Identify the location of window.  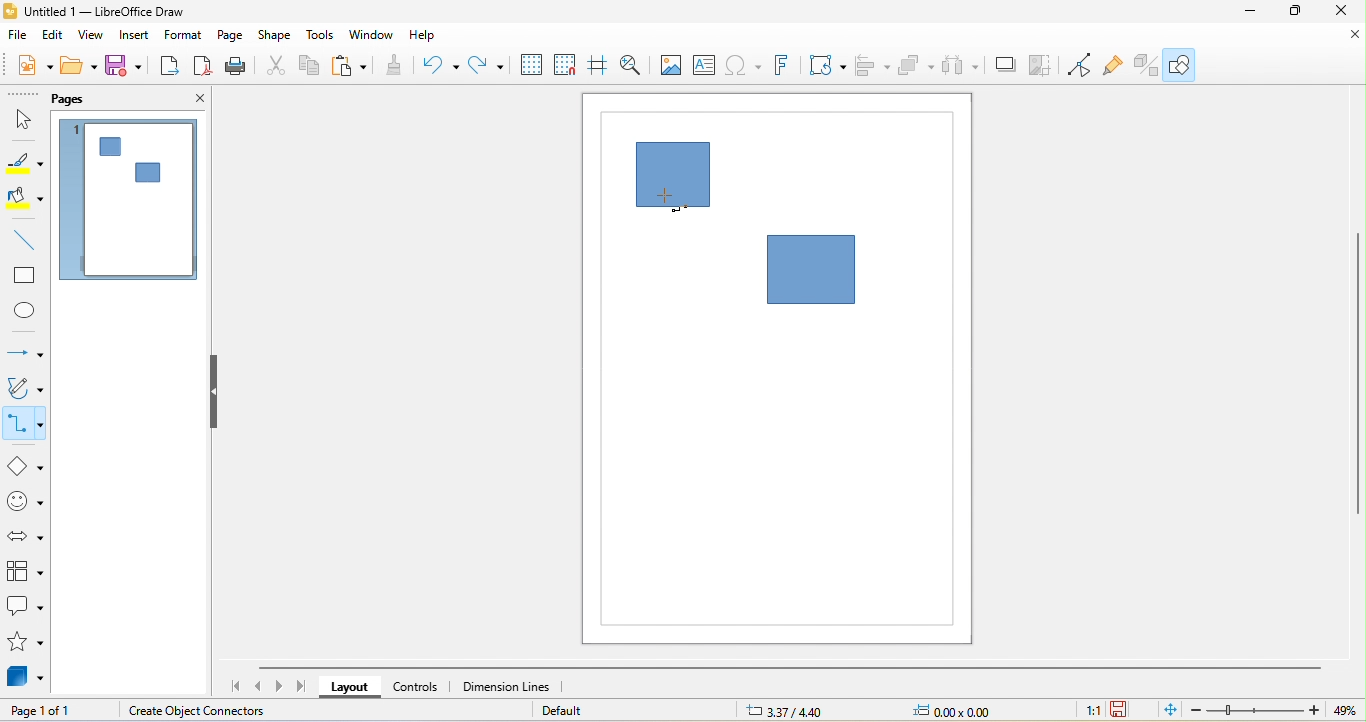
(373, 36).